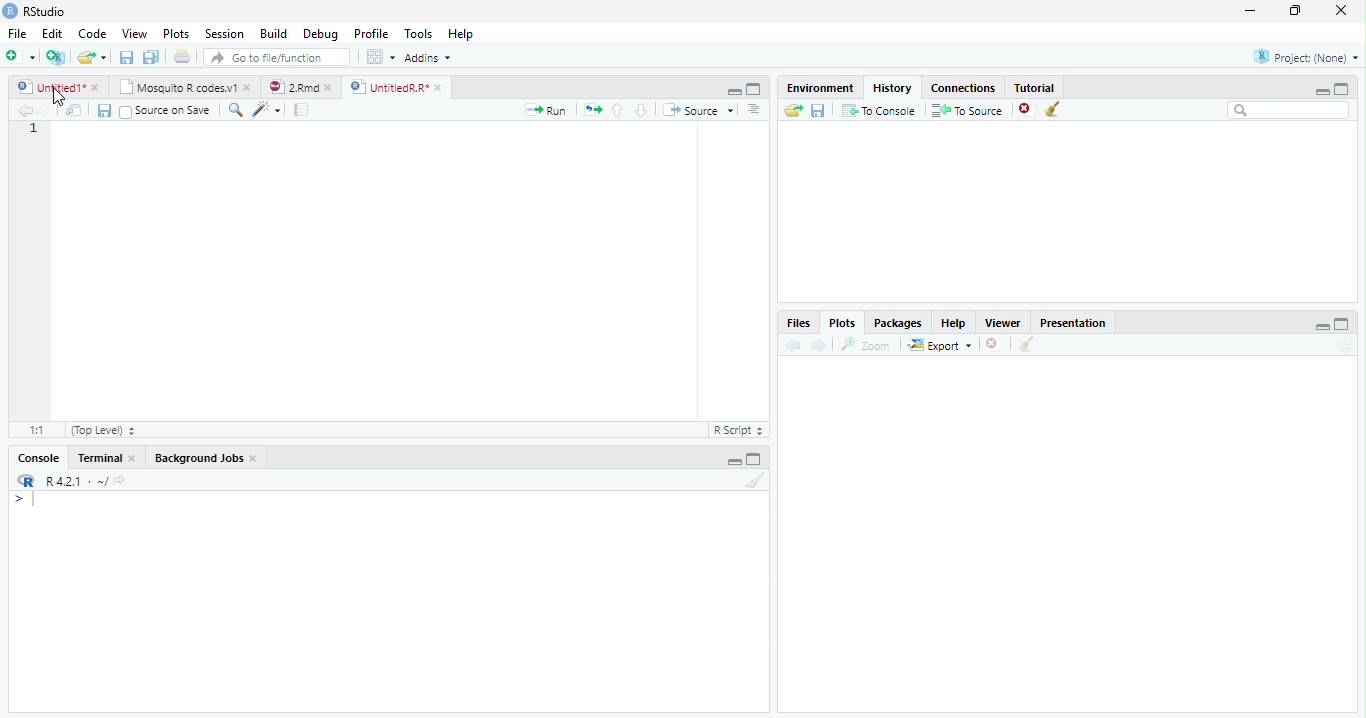  Describe the element at coordinates (396, 87) in the screenshot. I see `Untitled R*` at that location.